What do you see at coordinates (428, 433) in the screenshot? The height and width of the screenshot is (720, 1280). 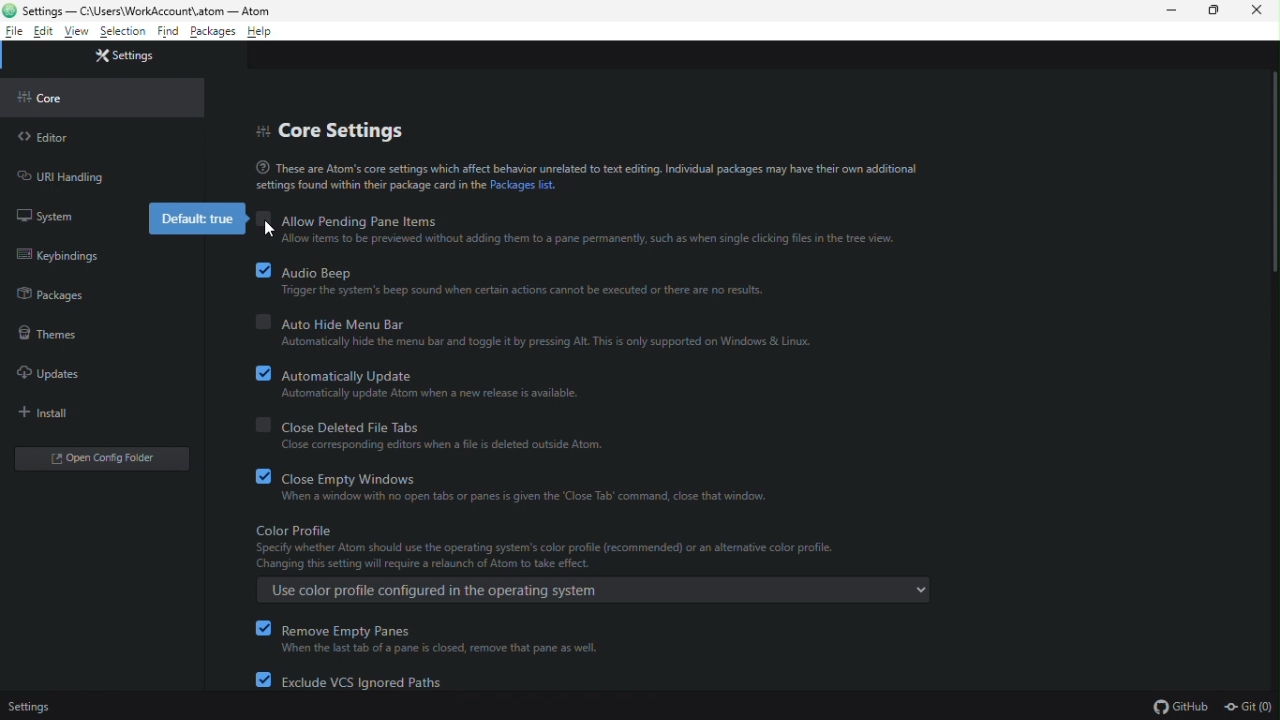 I see `close deleted file tabs. Close corresponding editors when a file is deleted outside Atom.` at bounding box center [428, 433].